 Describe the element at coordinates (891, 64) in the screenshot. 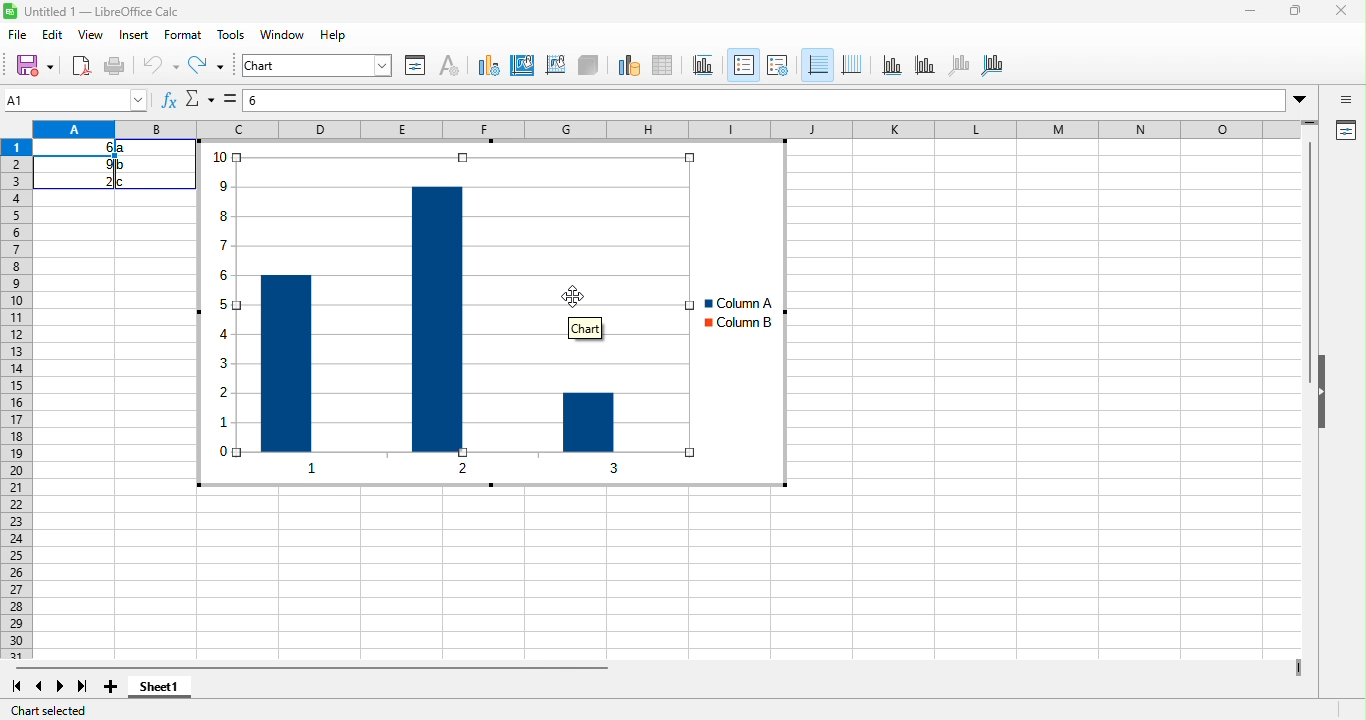

I see `x axis` at that location.